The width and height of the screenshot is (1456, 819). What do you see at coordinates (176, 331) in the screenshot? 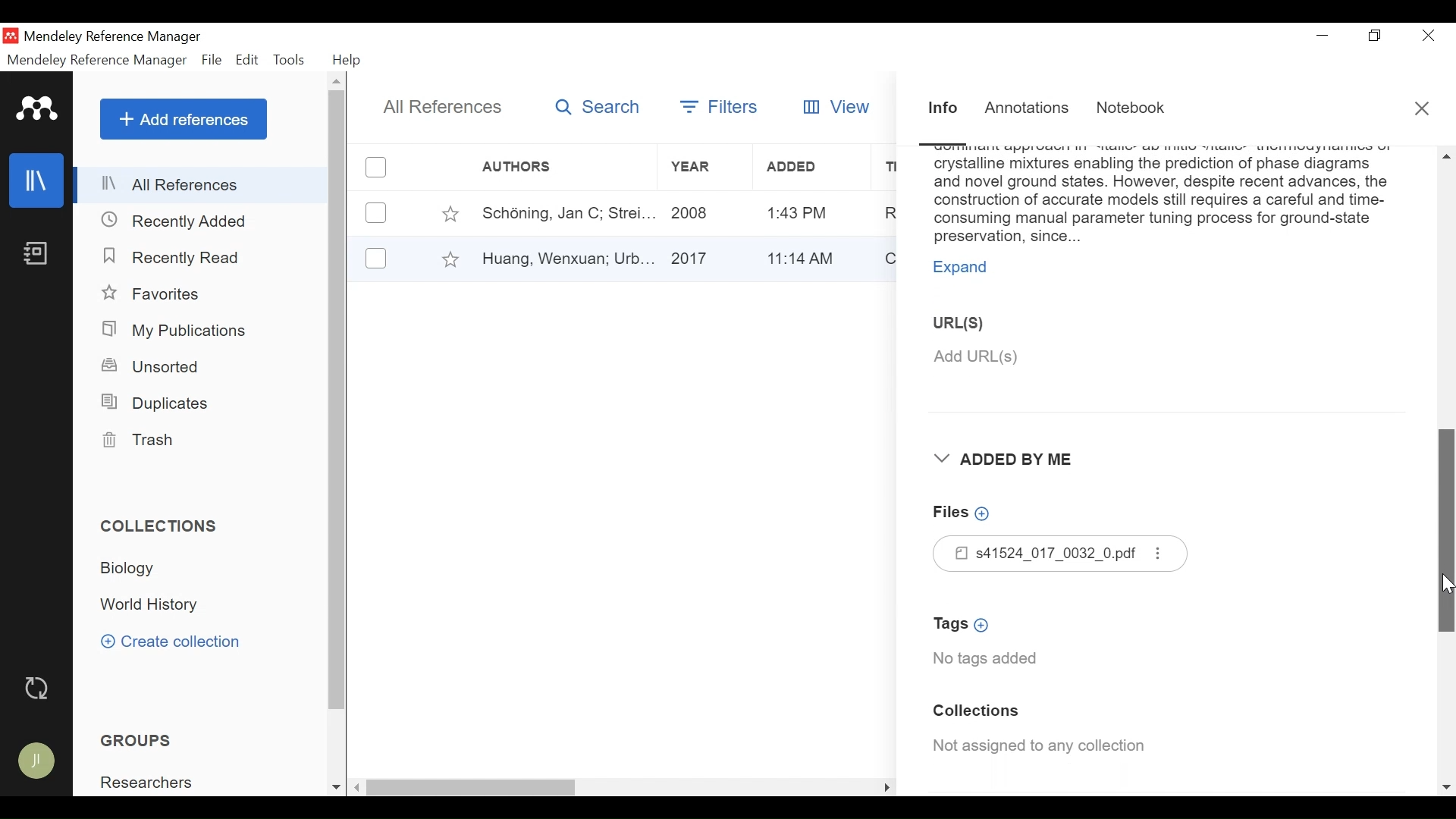
I see `My Publications` at bounding box center [176, 331].